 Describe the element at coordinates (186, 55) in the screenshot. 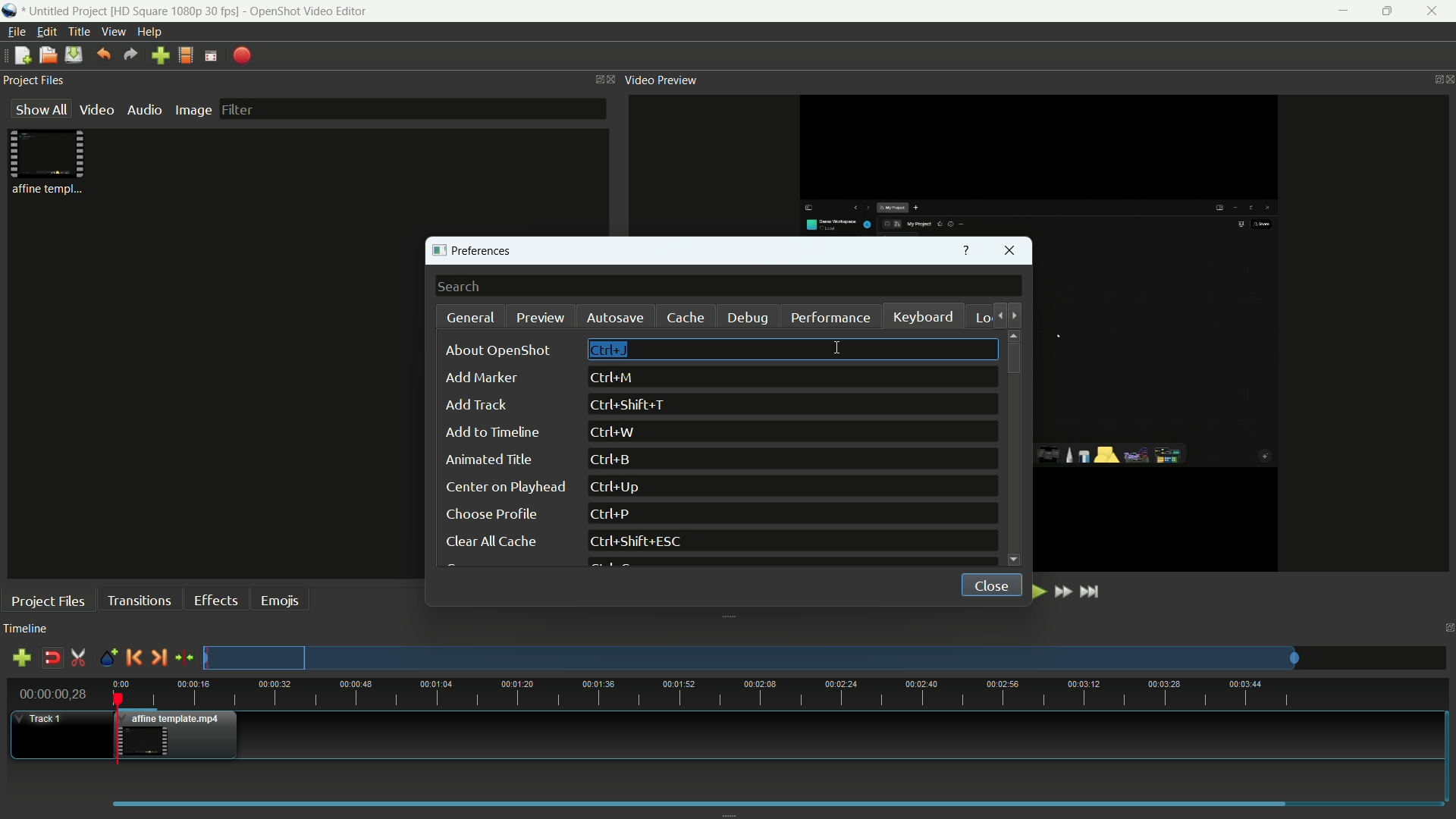

I see `profile` at that location.